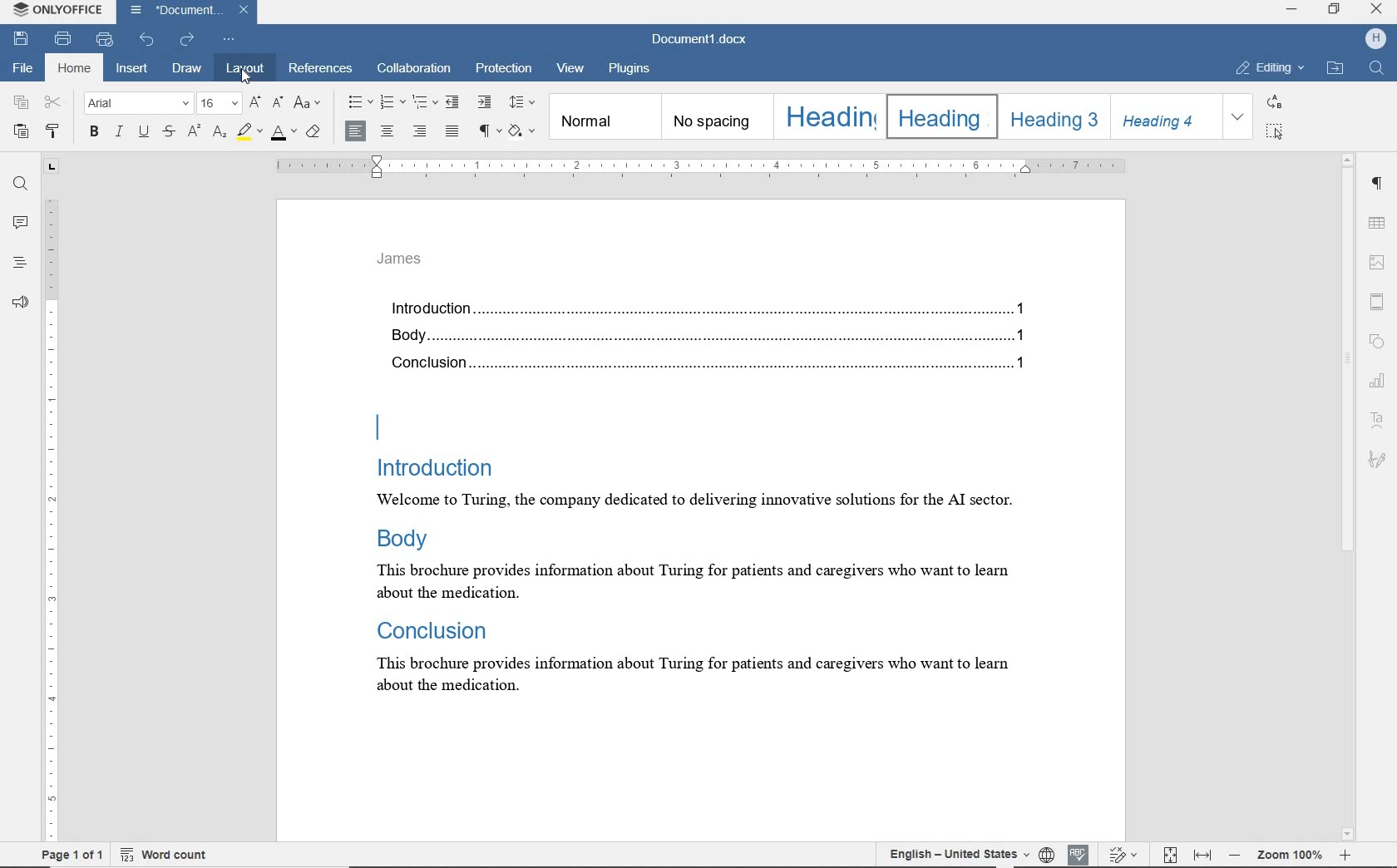 This screenshot has height=868, width=1397. I want to click on word count, so click(164, 855).